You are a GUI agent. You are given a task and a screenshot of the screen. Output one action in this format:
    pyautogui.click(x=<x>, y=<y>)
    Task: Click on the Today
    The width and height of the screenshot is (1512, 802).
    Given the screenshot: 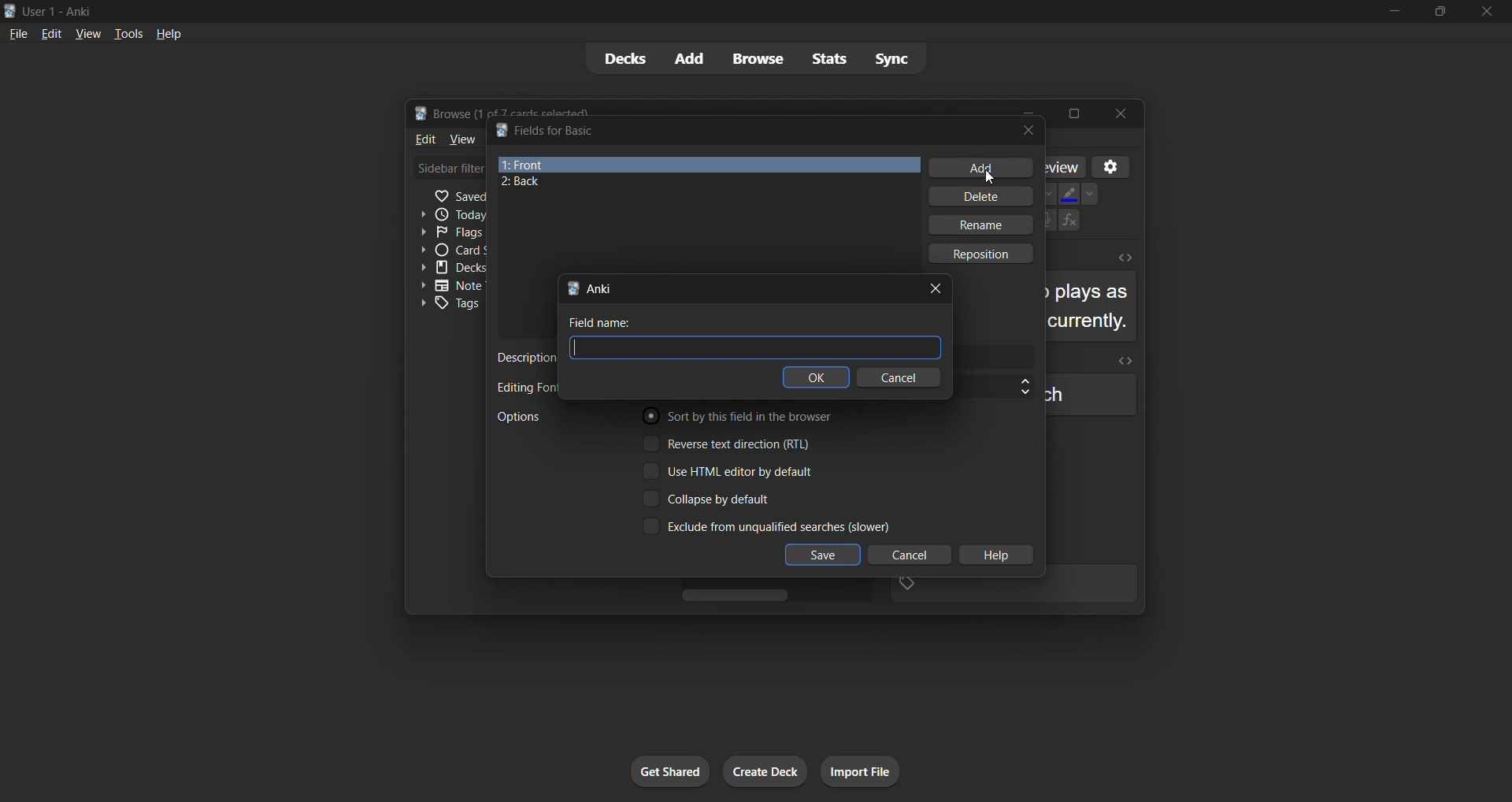 What is the action you would take?
    pyautogui.click(x=450, y=213)
    